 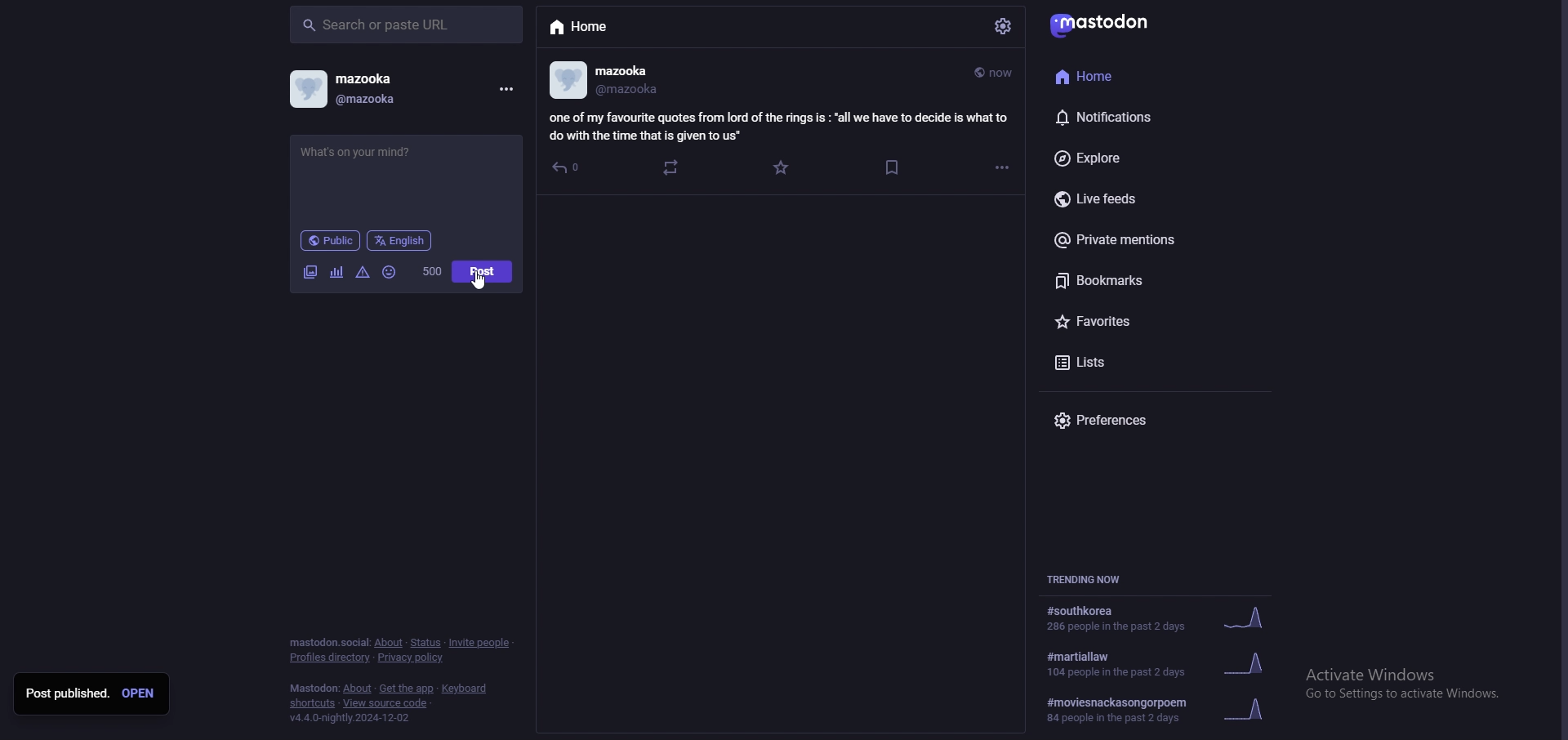 What do you see at coordinates (610, 78) in the screenshot?
I see `profile` at bounding box center [610, 78].